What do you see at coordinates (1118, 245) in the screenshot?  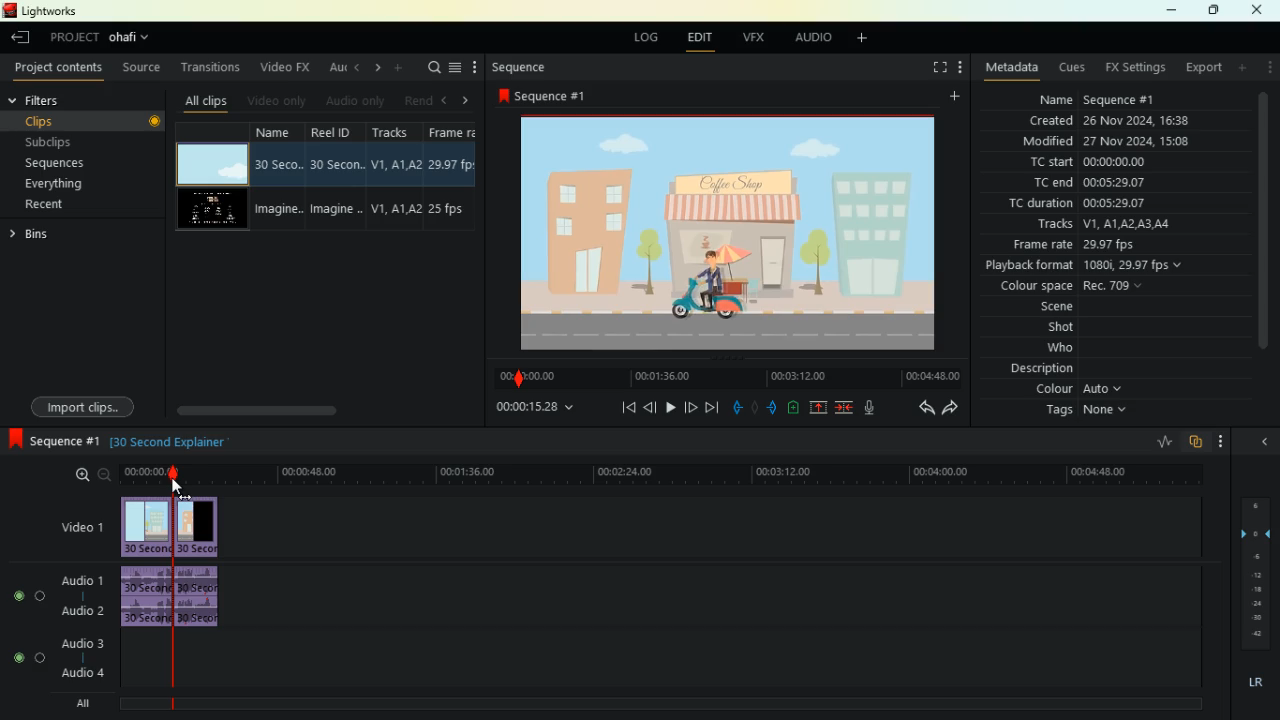 I see `29.97 fps` at bounding box center [1118, 245].